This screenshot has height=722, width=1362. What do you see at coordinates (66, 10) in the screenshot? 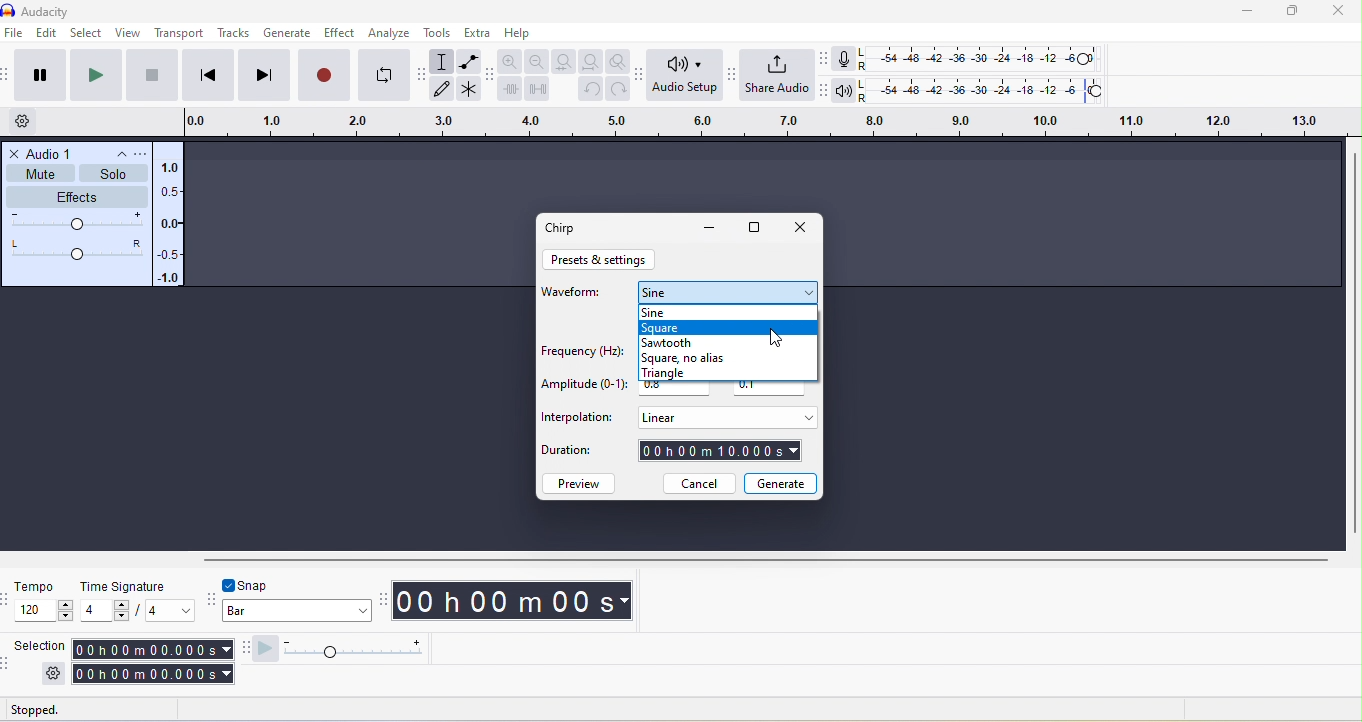
I see `title` at bounding box center [66, 10].